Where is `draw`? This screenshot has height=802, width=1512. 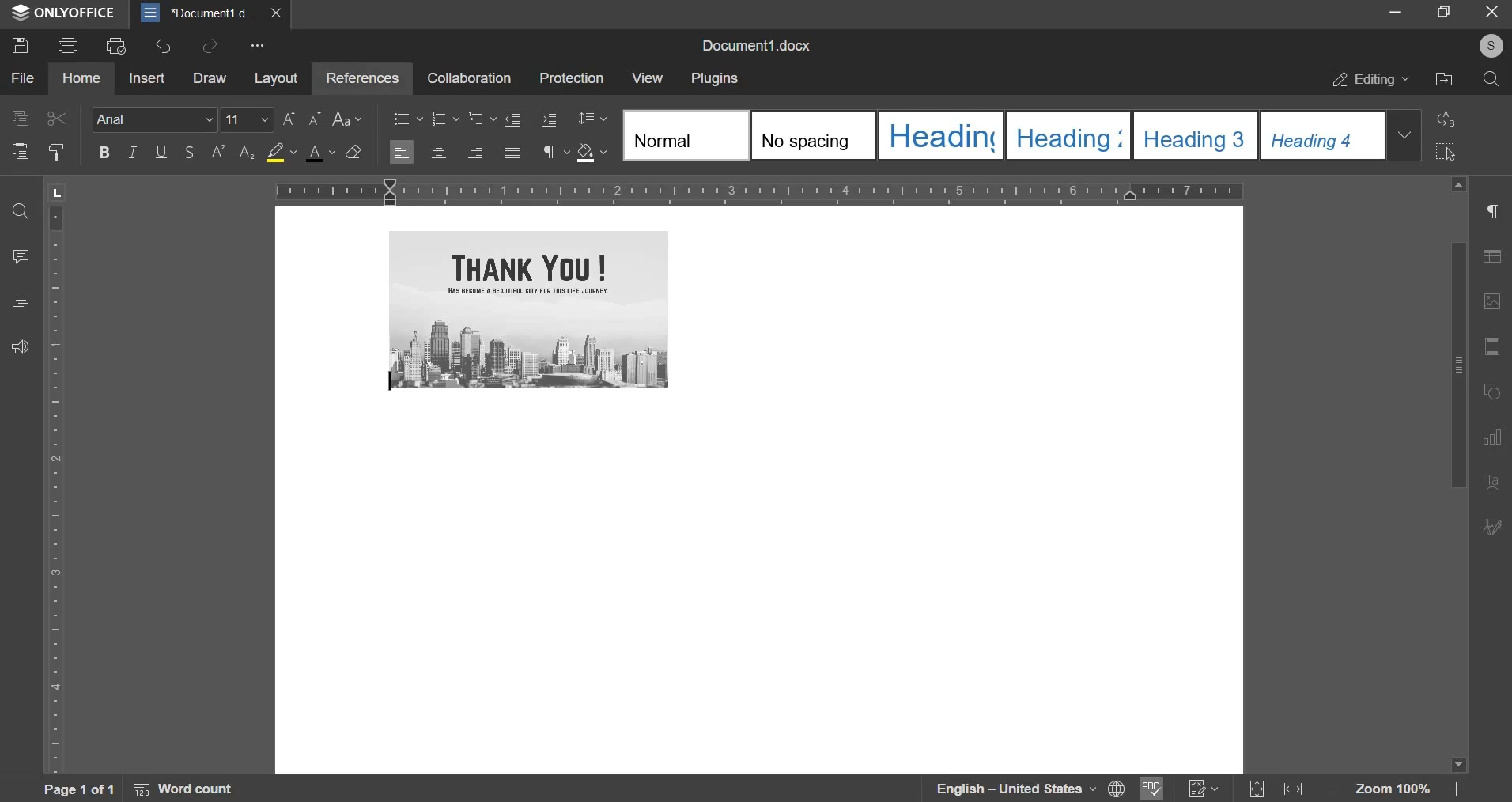
draw is located at coordinates (209, 78).